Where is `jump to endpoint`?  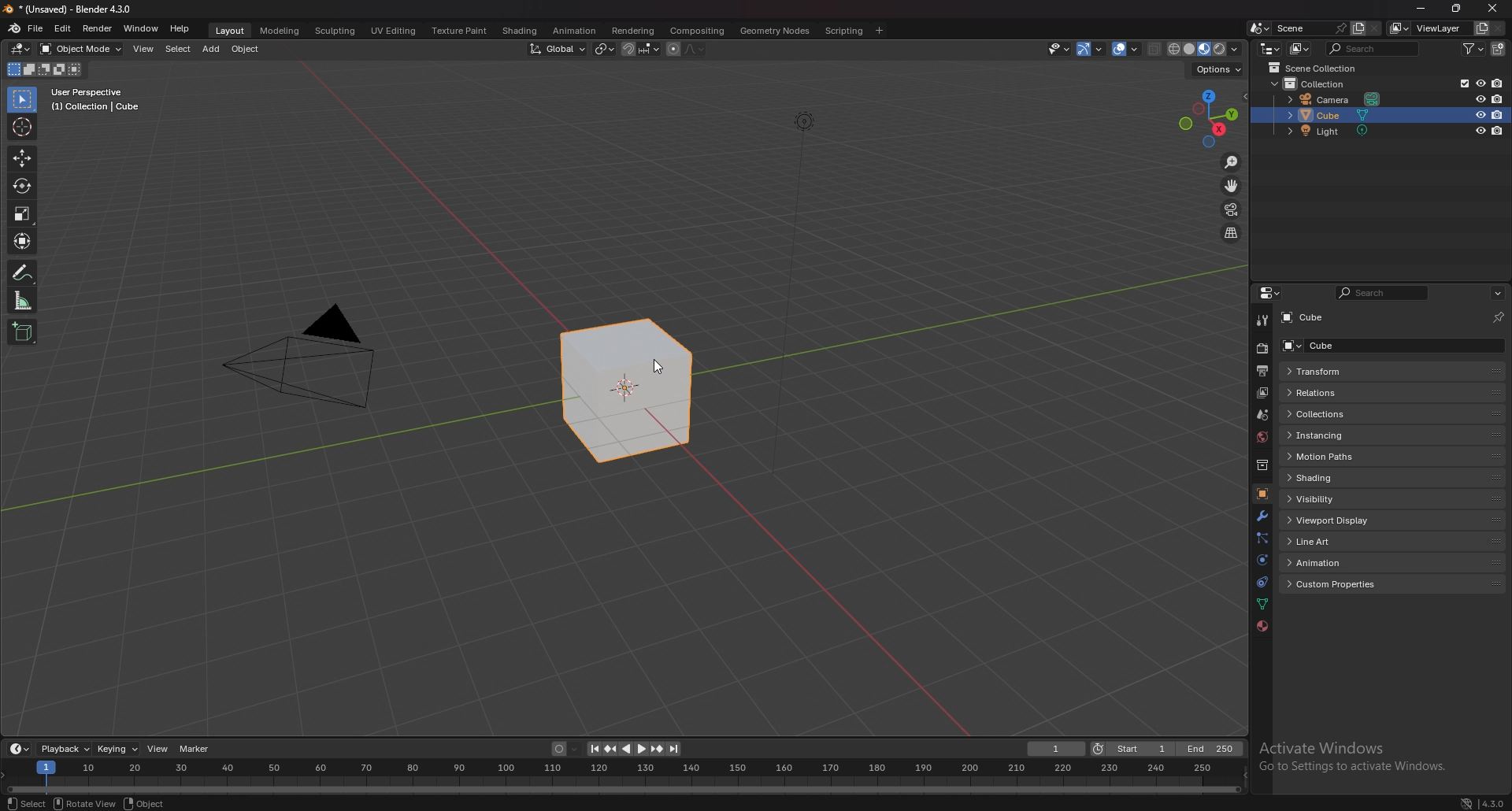 jump to endpoint is located at coordinates (593, 749).